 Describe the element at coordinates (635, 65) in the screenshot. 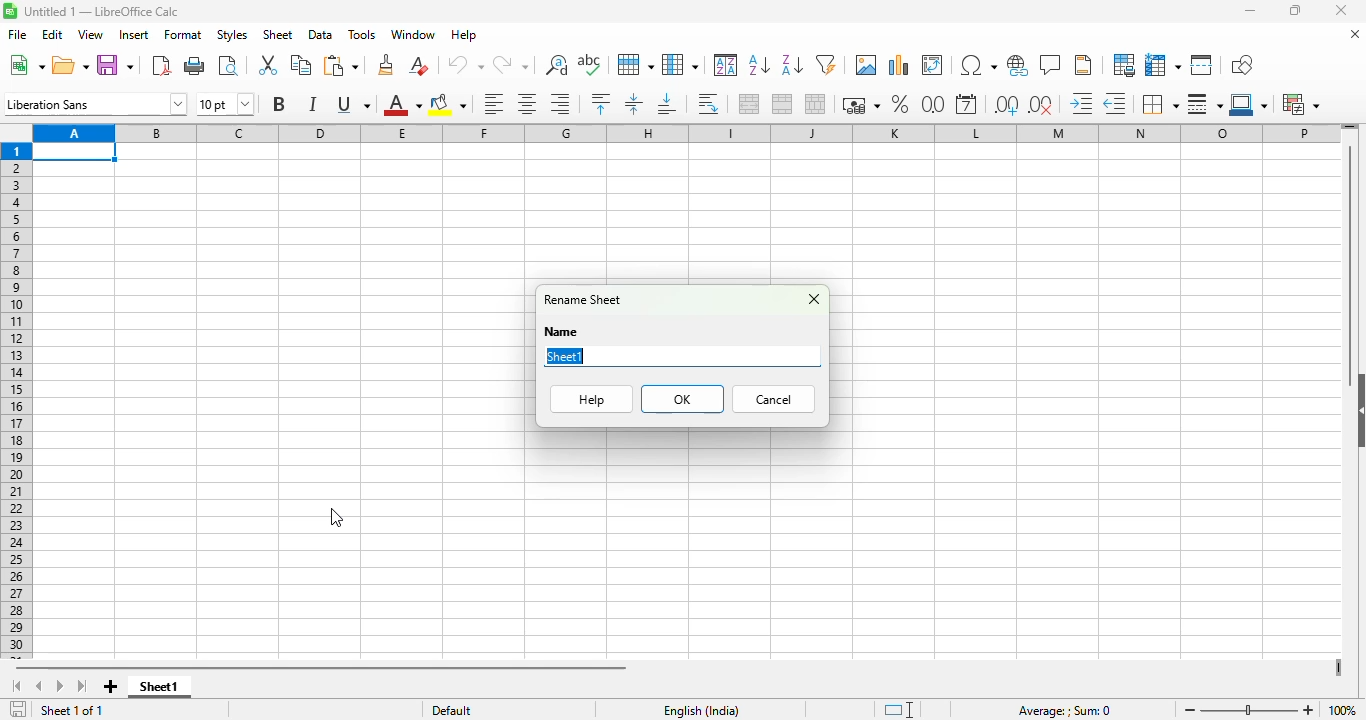

I see `row` at that location.